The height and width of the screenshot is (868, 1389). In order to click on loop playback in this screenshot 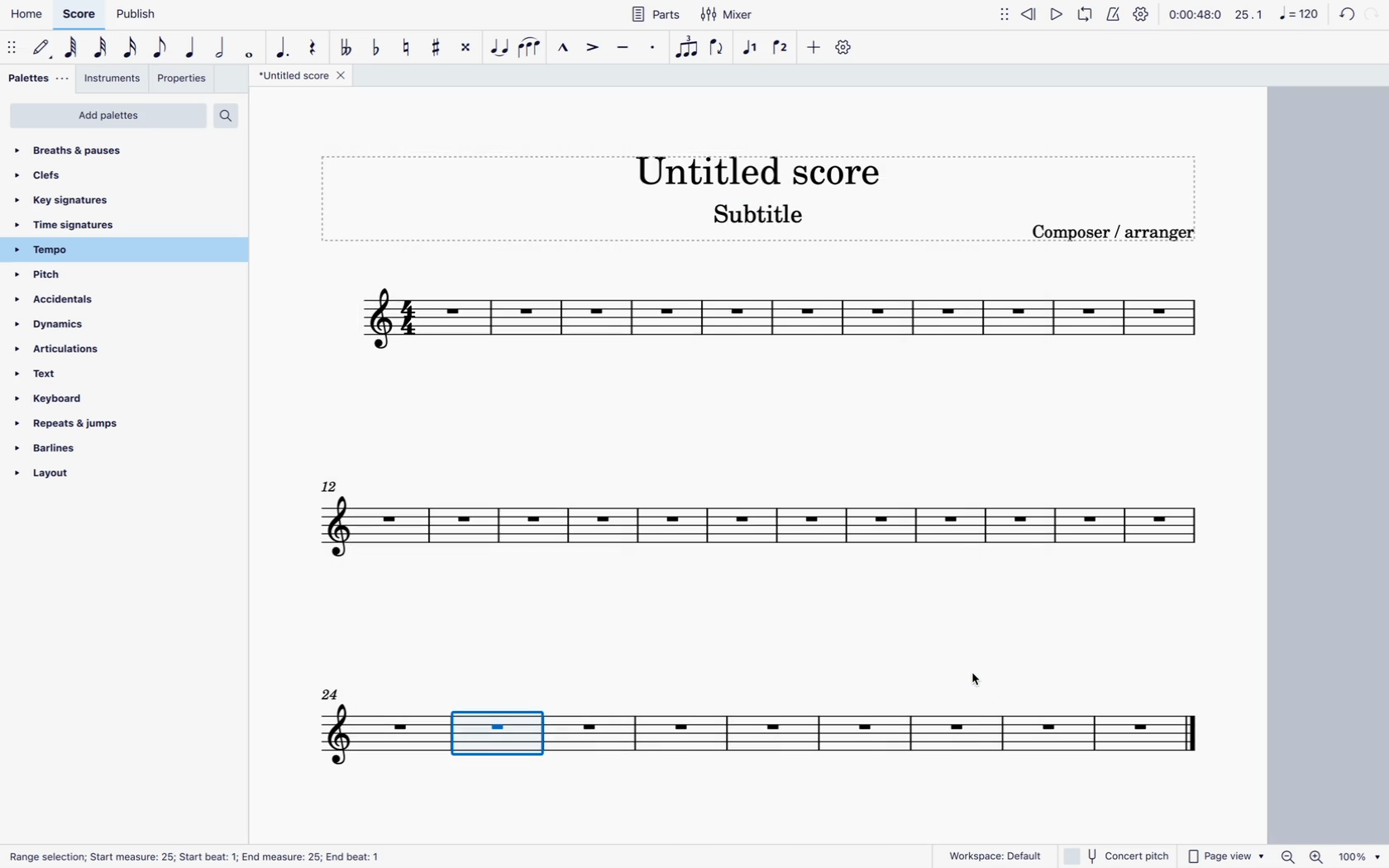, I will do `click(1086, 16)`.